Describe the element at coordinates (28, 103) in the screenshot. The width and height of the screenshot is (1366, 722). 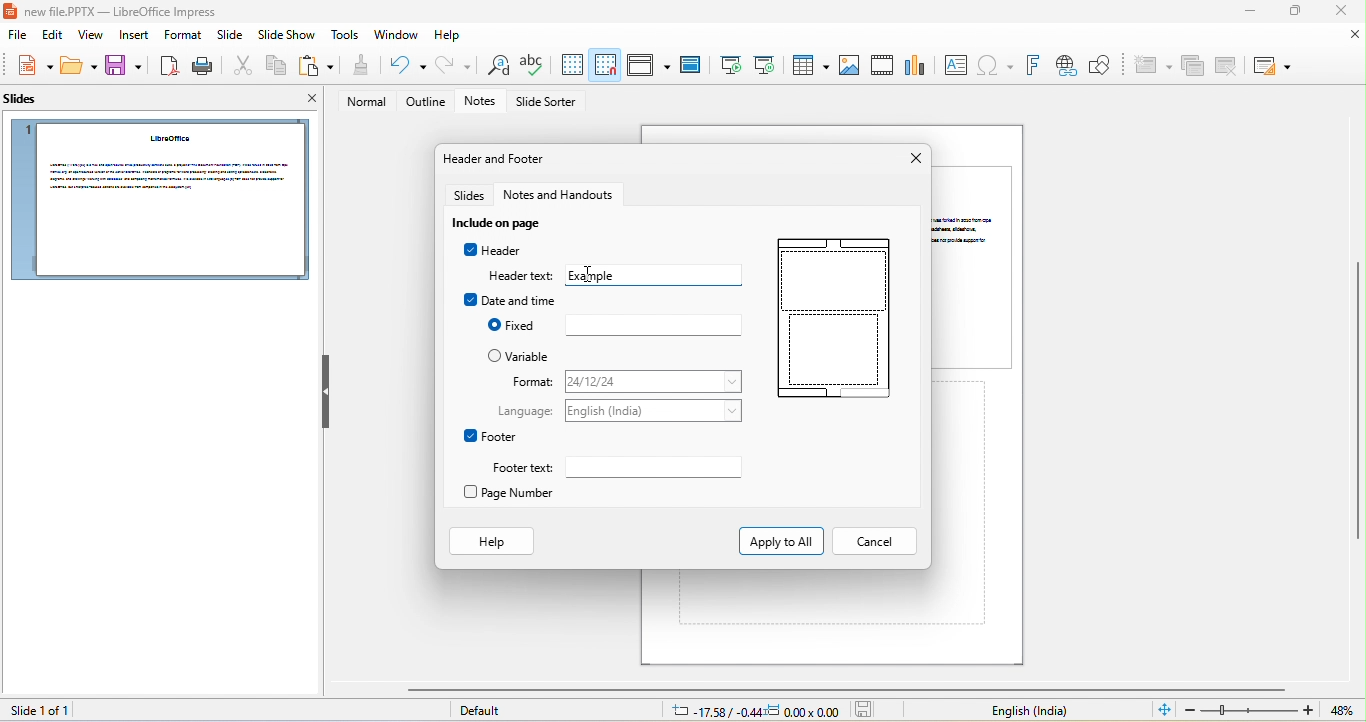
I see `slides` at that location.